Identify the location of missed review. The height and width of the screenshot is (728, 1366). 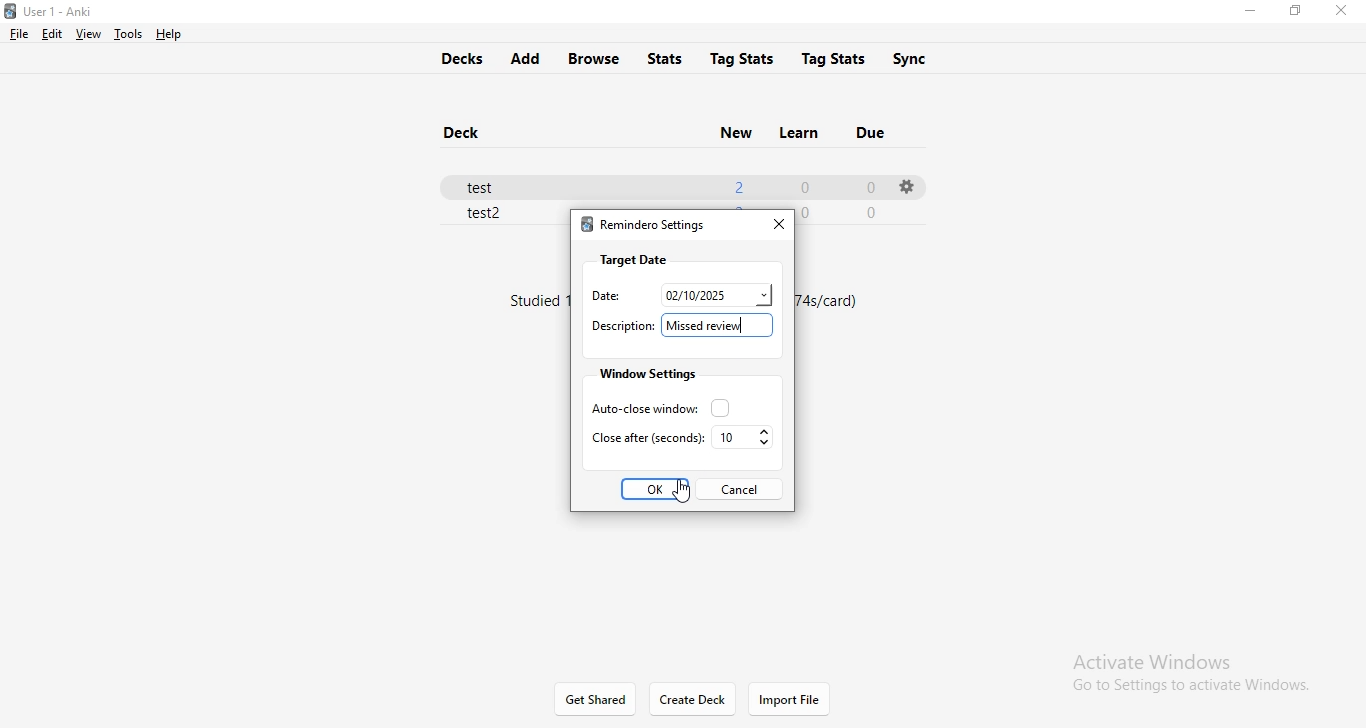
(720, 325).